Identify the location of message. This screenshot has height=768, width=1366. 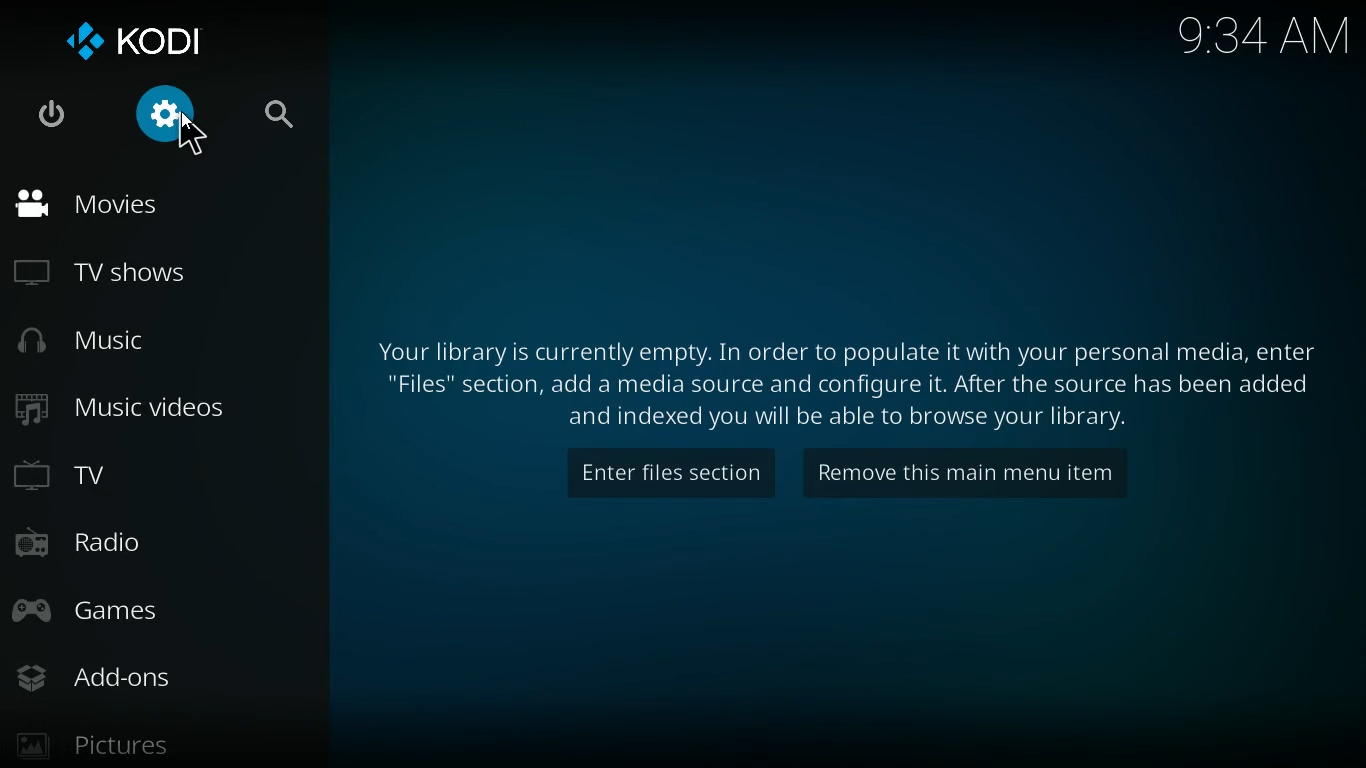
(839, 377).